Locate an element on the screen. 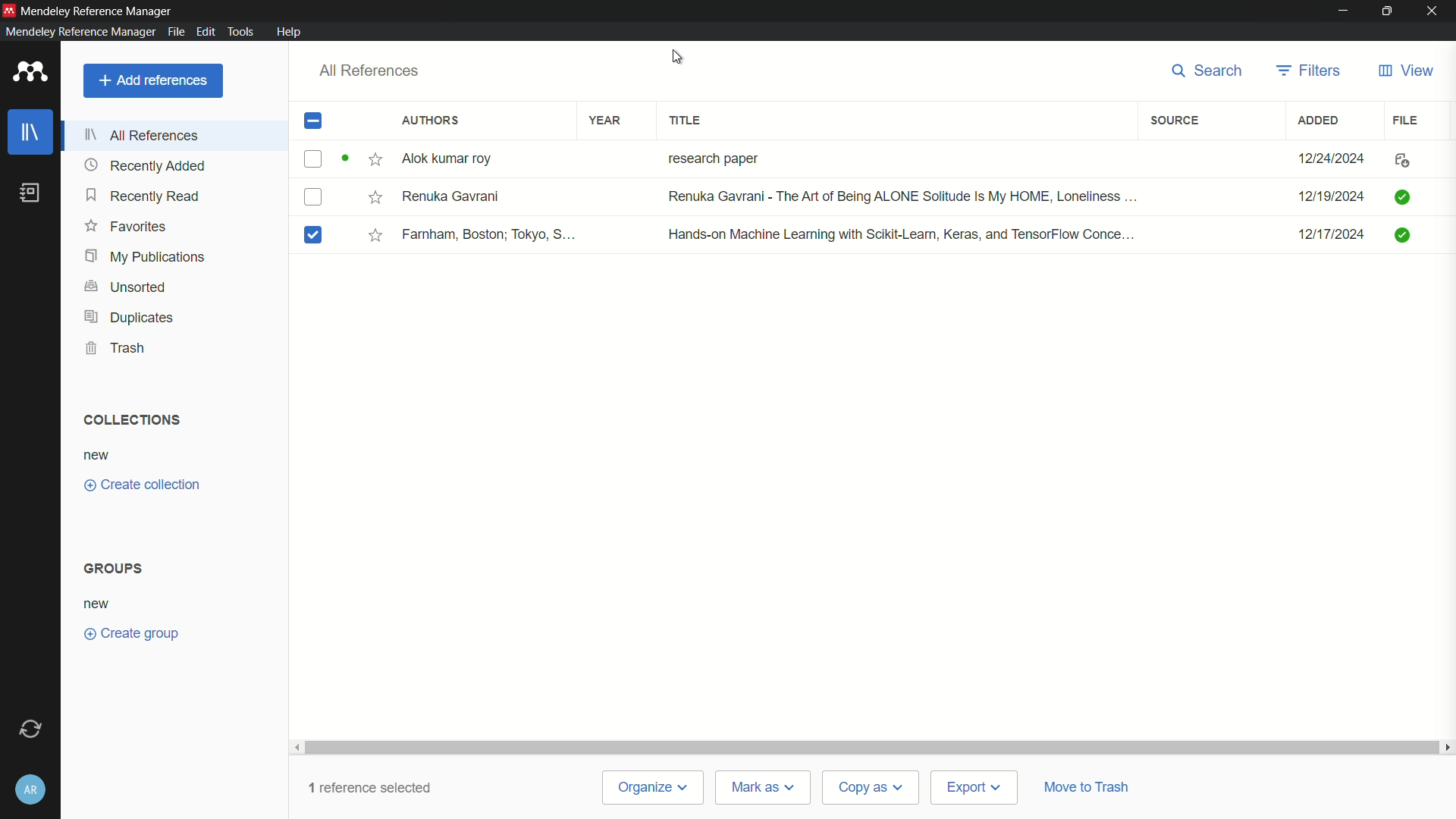 This screenshot has width=1456, height=819. trash is located at coordinates (117, 347).